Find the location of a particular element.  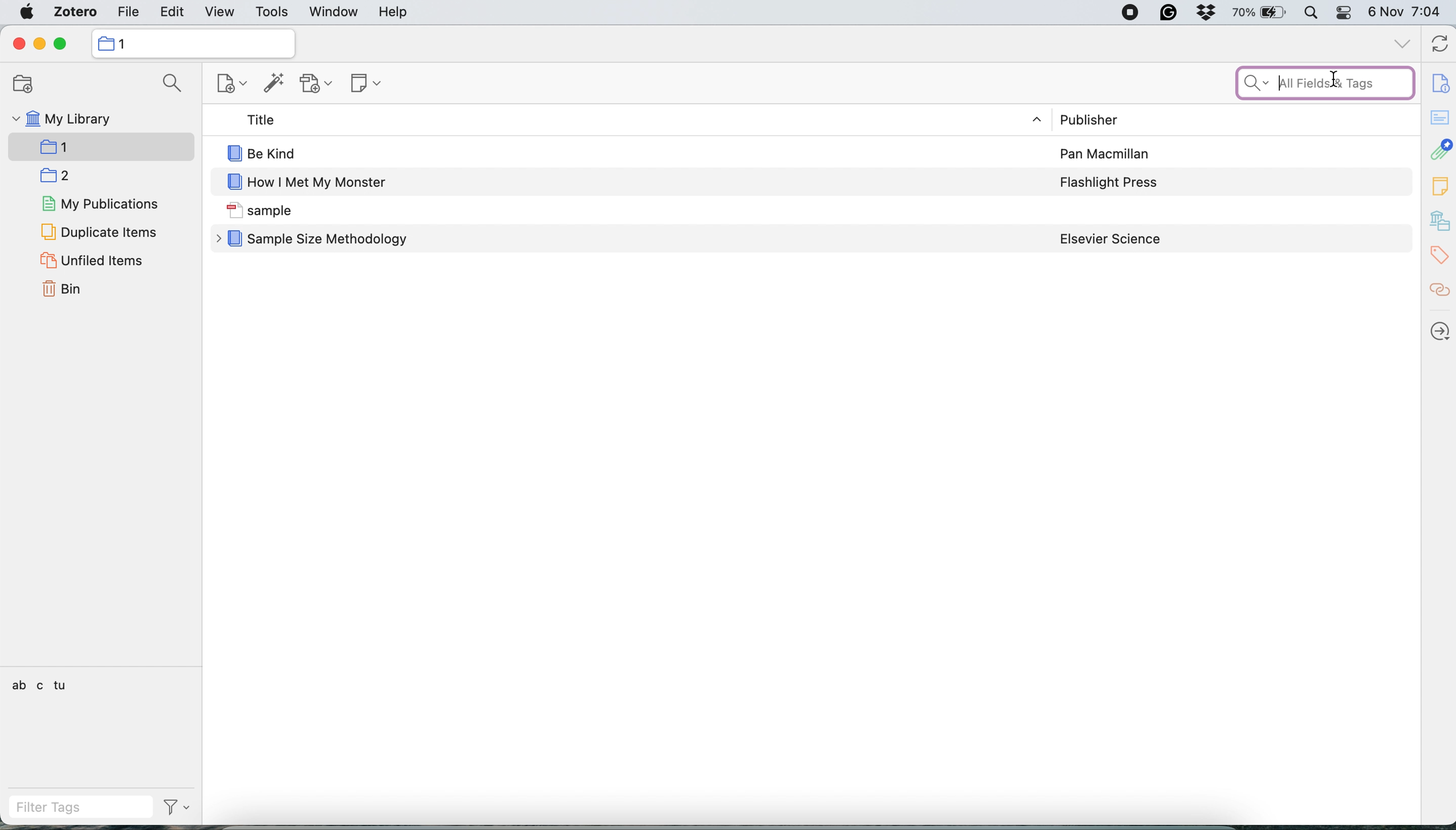

unfiled items is located at coordinates (93, 260).